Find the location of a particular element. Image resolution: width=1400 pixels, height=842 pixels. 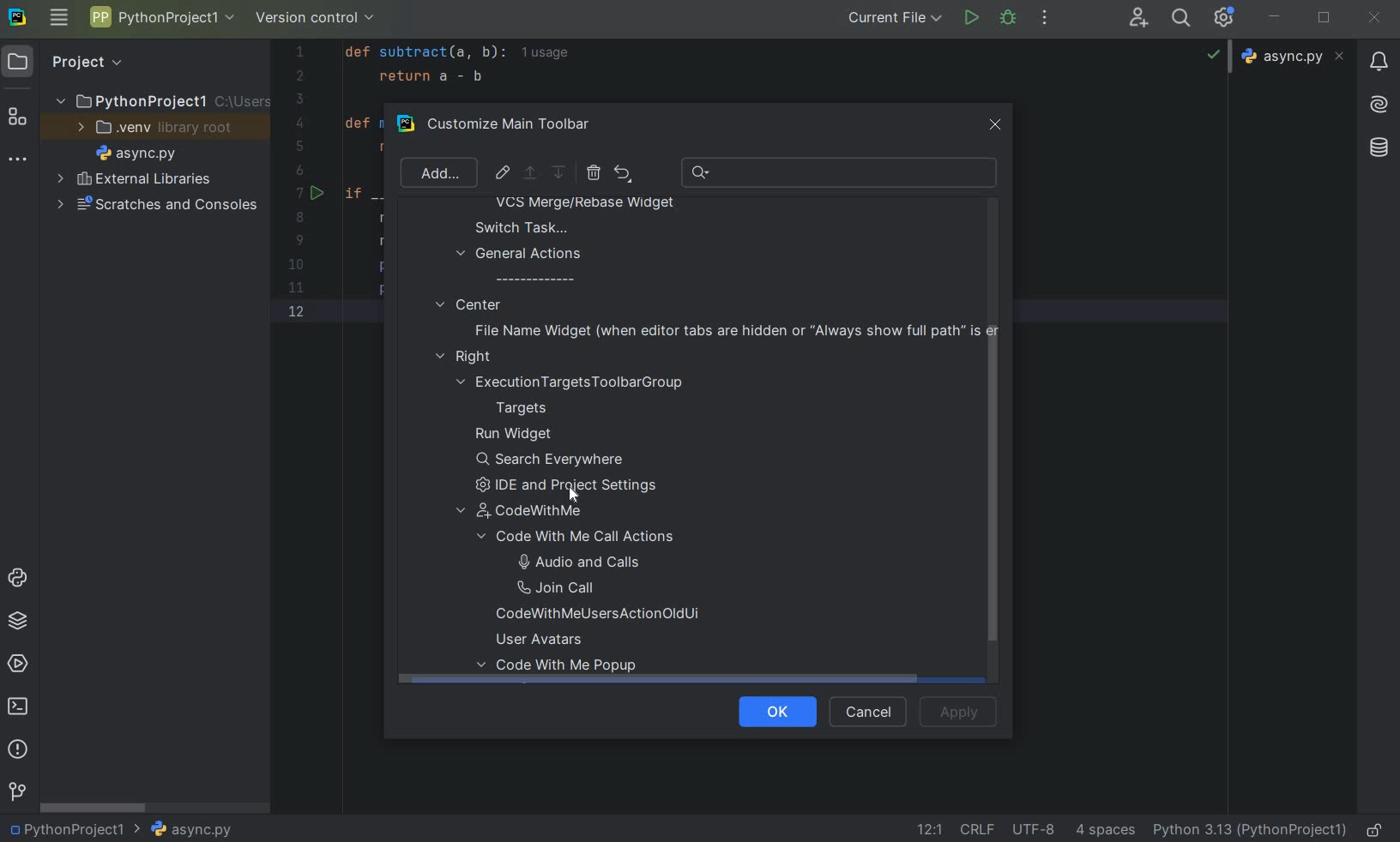

ok is located at coordinates (770, 710).